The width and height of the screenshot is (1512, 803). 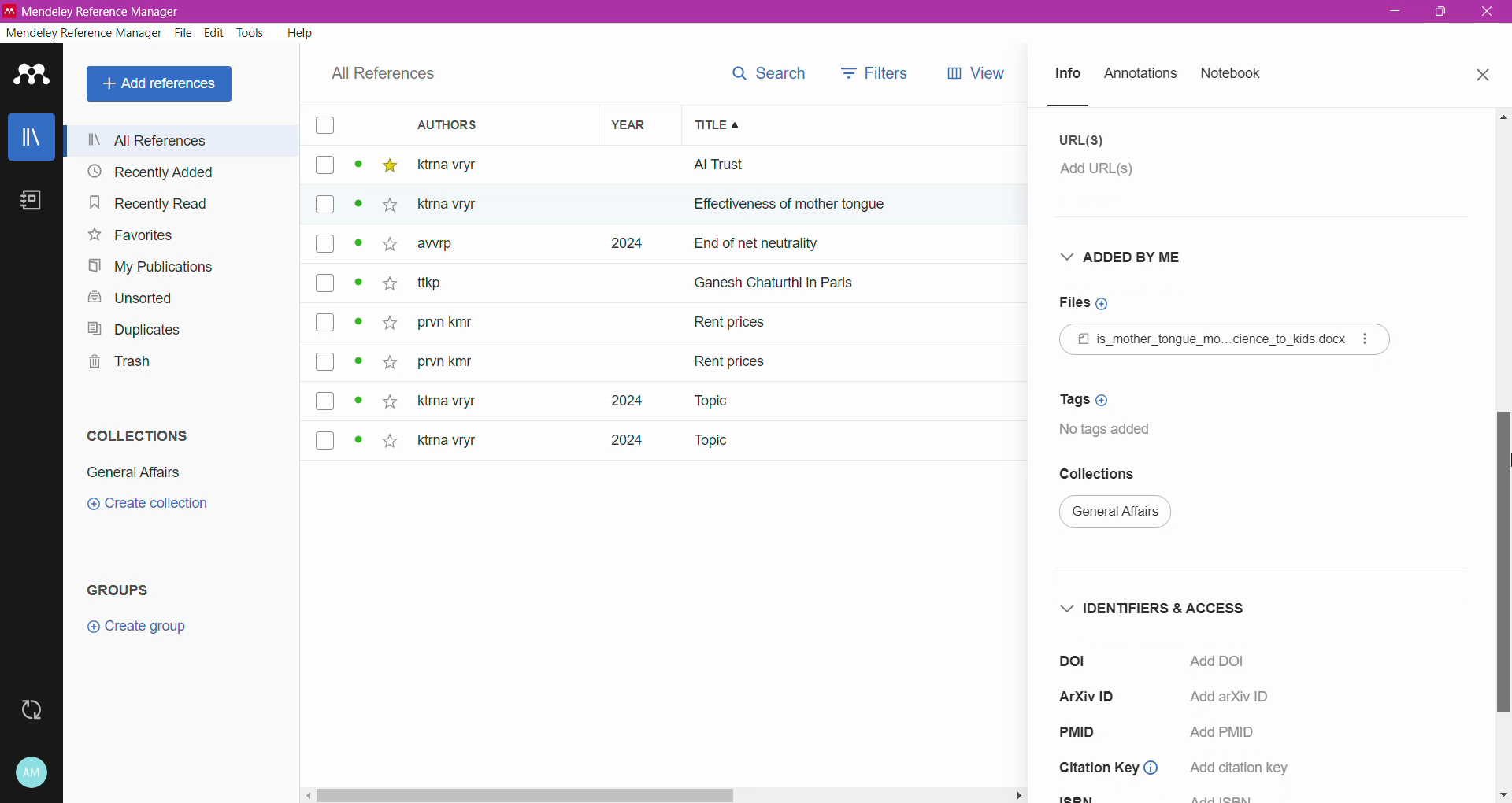 What do you see at coordinates (862, 246) in the screenshot?
I see `end of net neutrally ` at bounding box center [862, 246].